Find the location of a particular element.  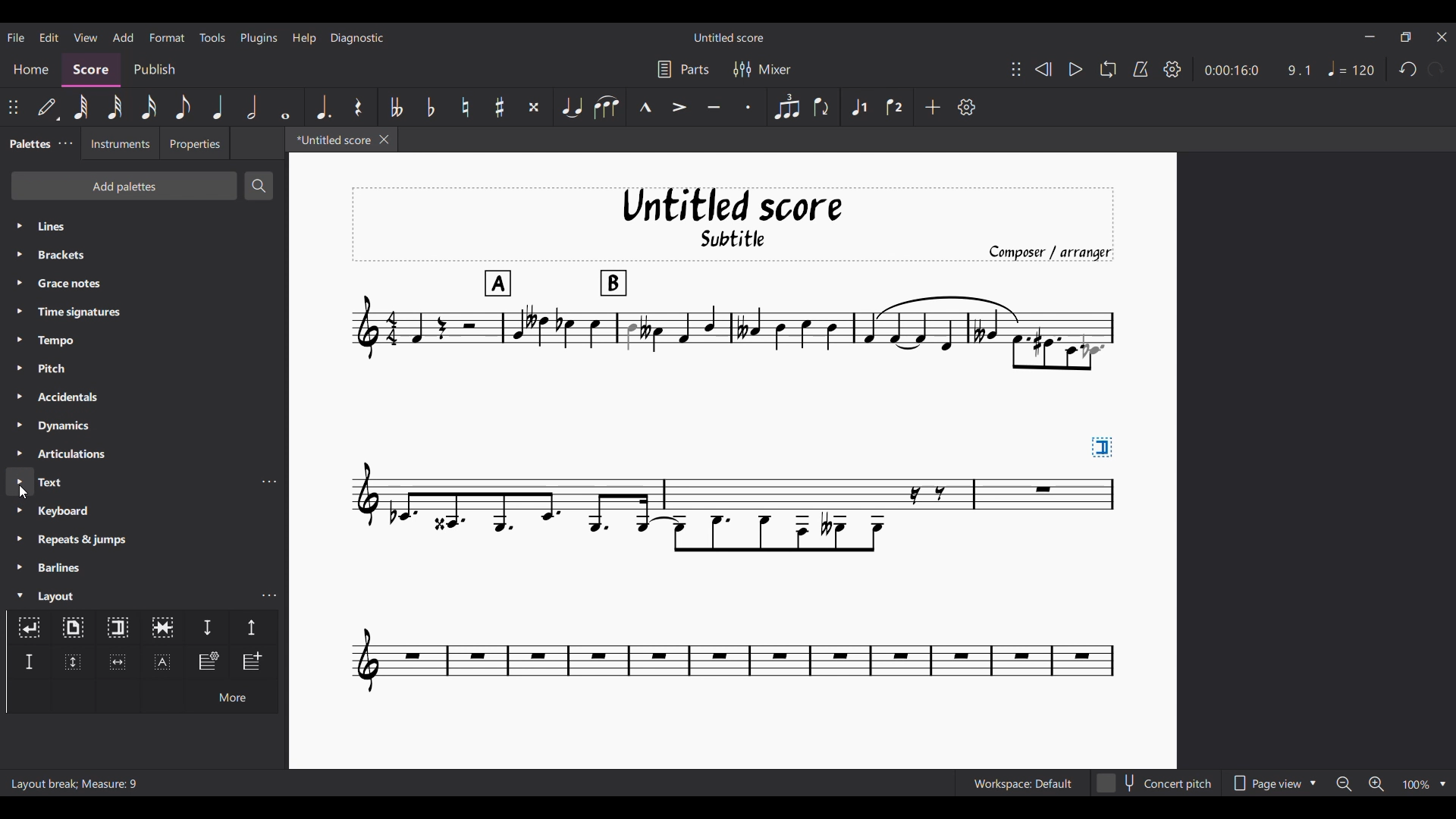

More options is located at coordinates (231, 695).